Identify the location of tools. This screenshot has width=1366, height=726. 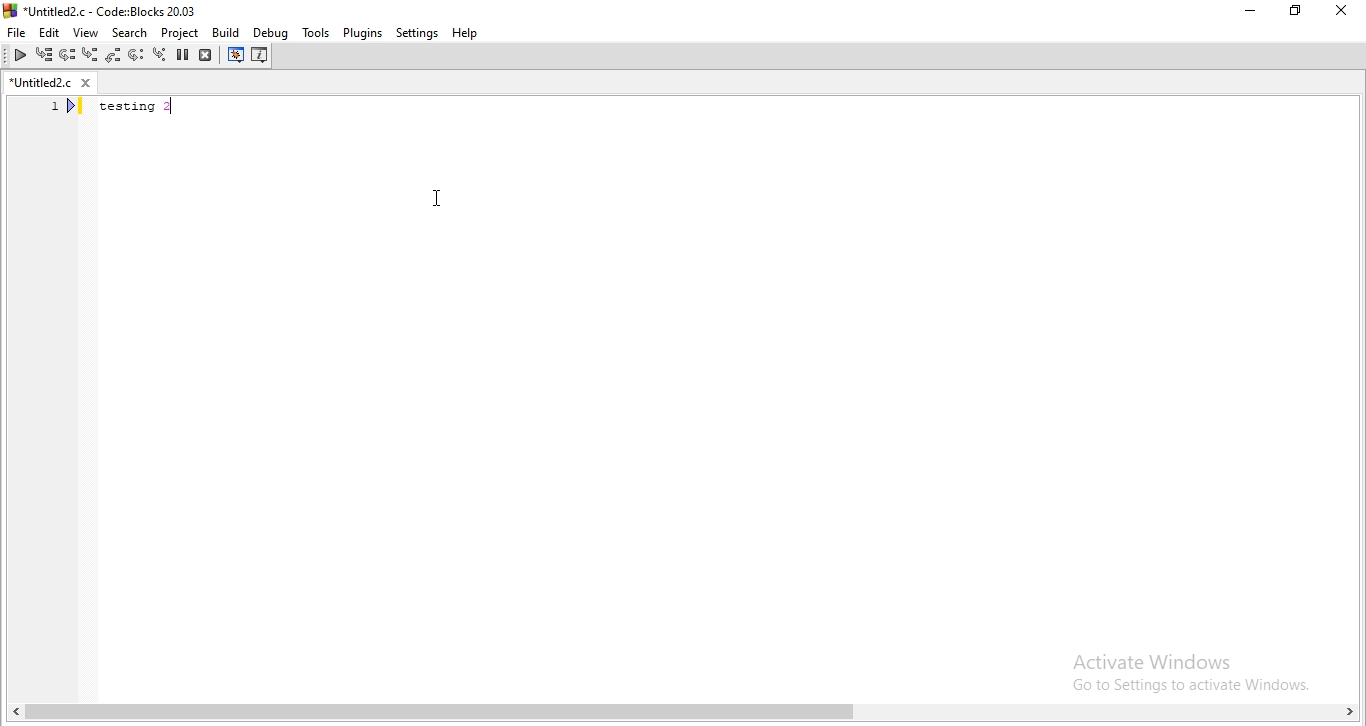
(315, 31).